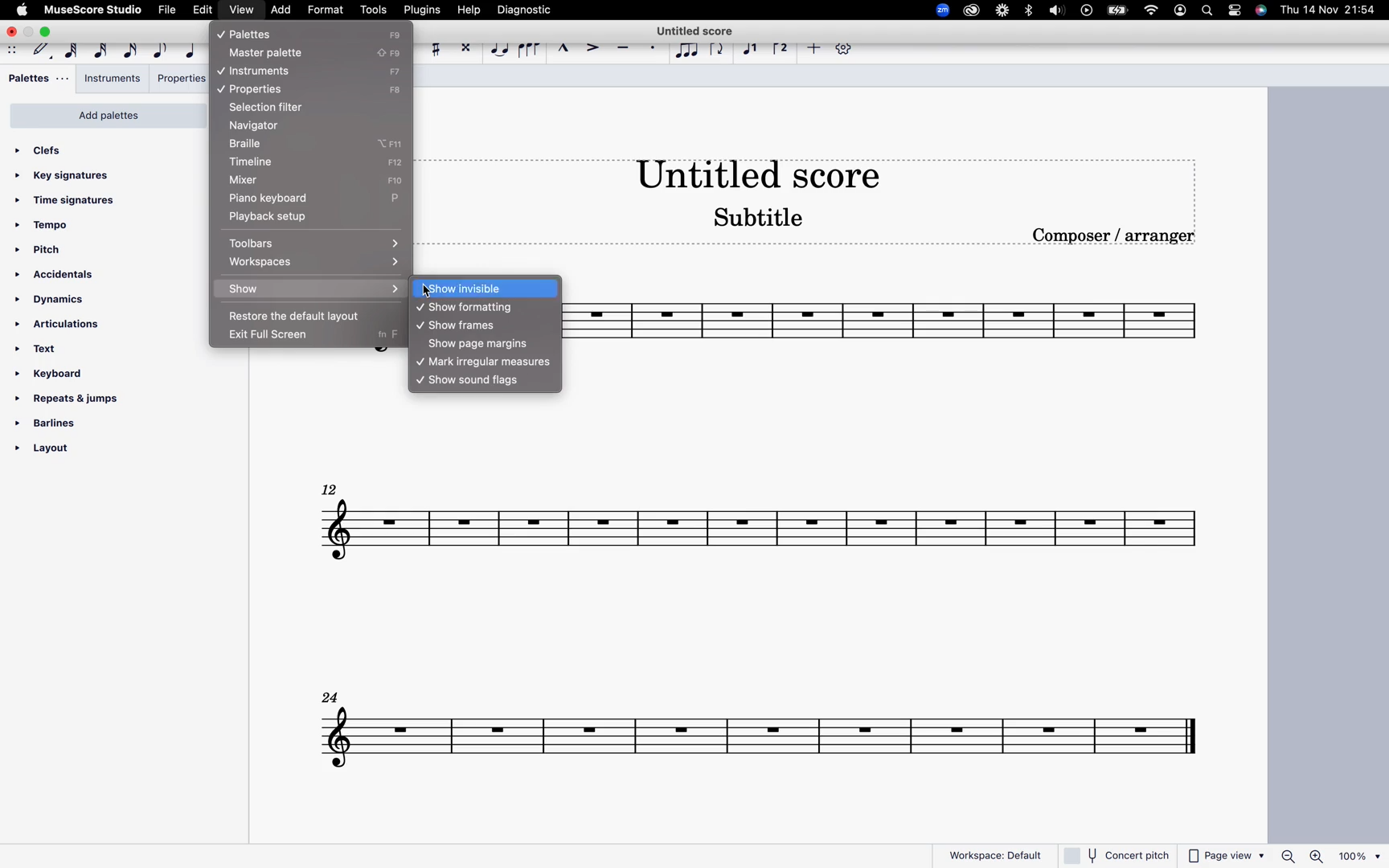  Describe the element at coordinates (421, 10) in the screenshot. I see `plugins` at that location.